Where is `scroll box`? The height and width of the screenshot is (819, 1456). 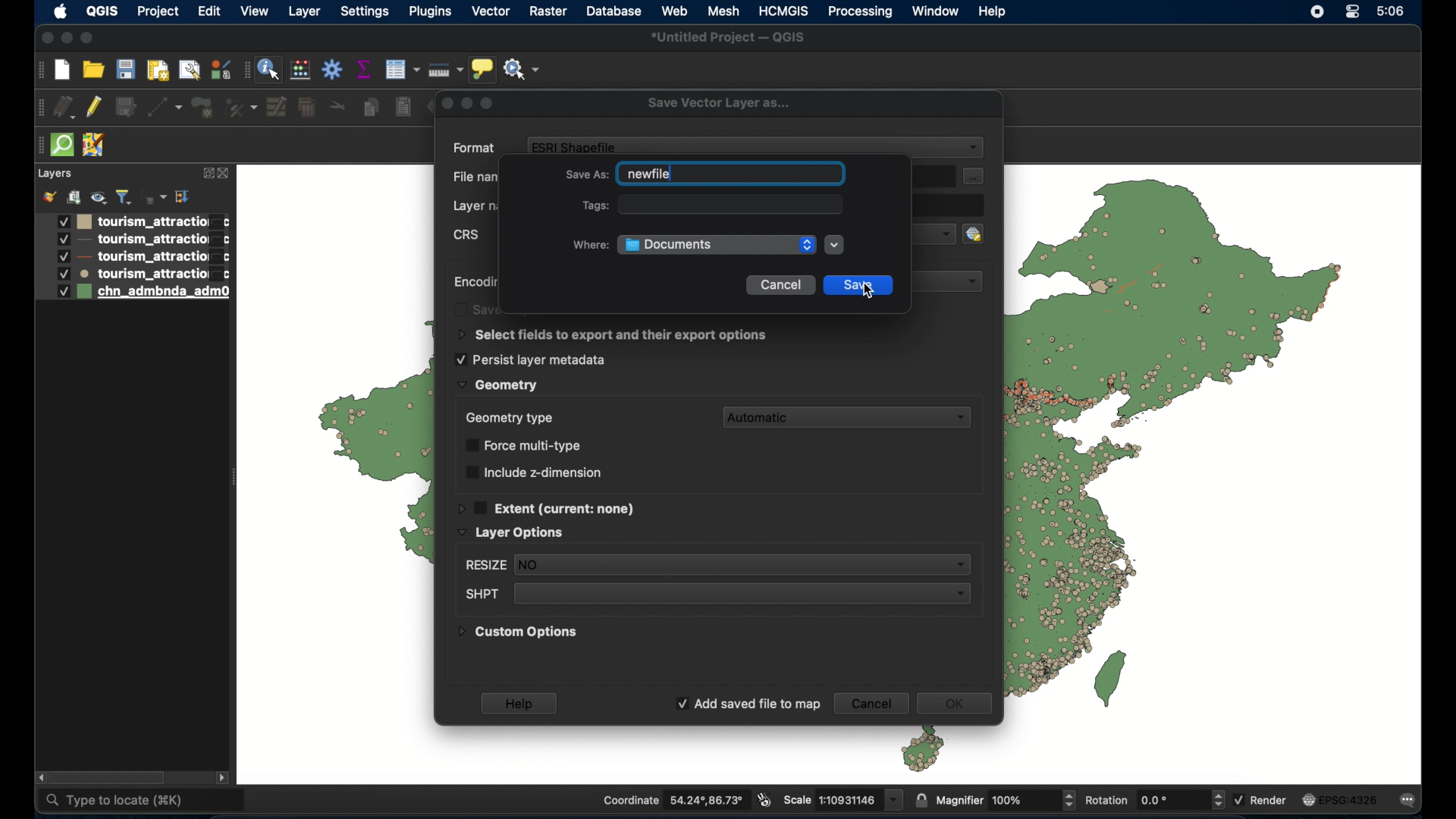 scroll box is located at coordinates (109, 777).